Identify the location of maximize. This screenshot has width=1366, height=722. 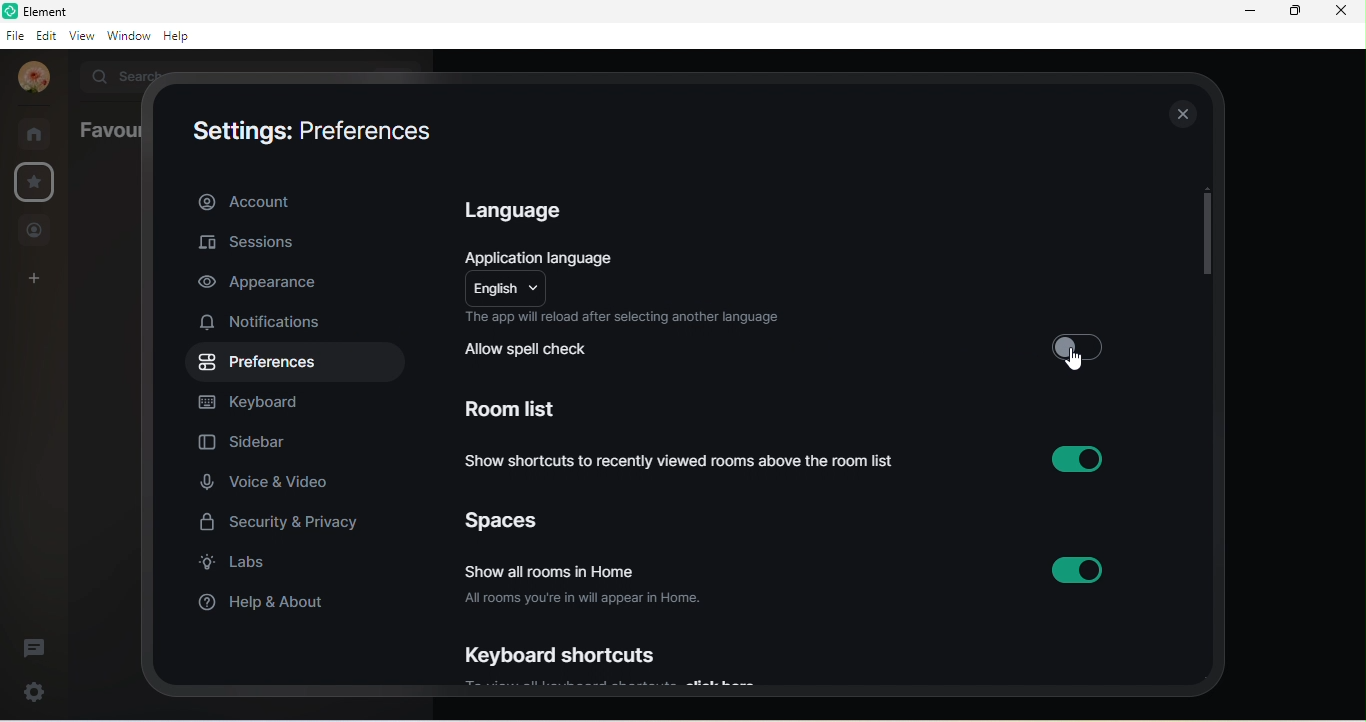
(1295, 14).